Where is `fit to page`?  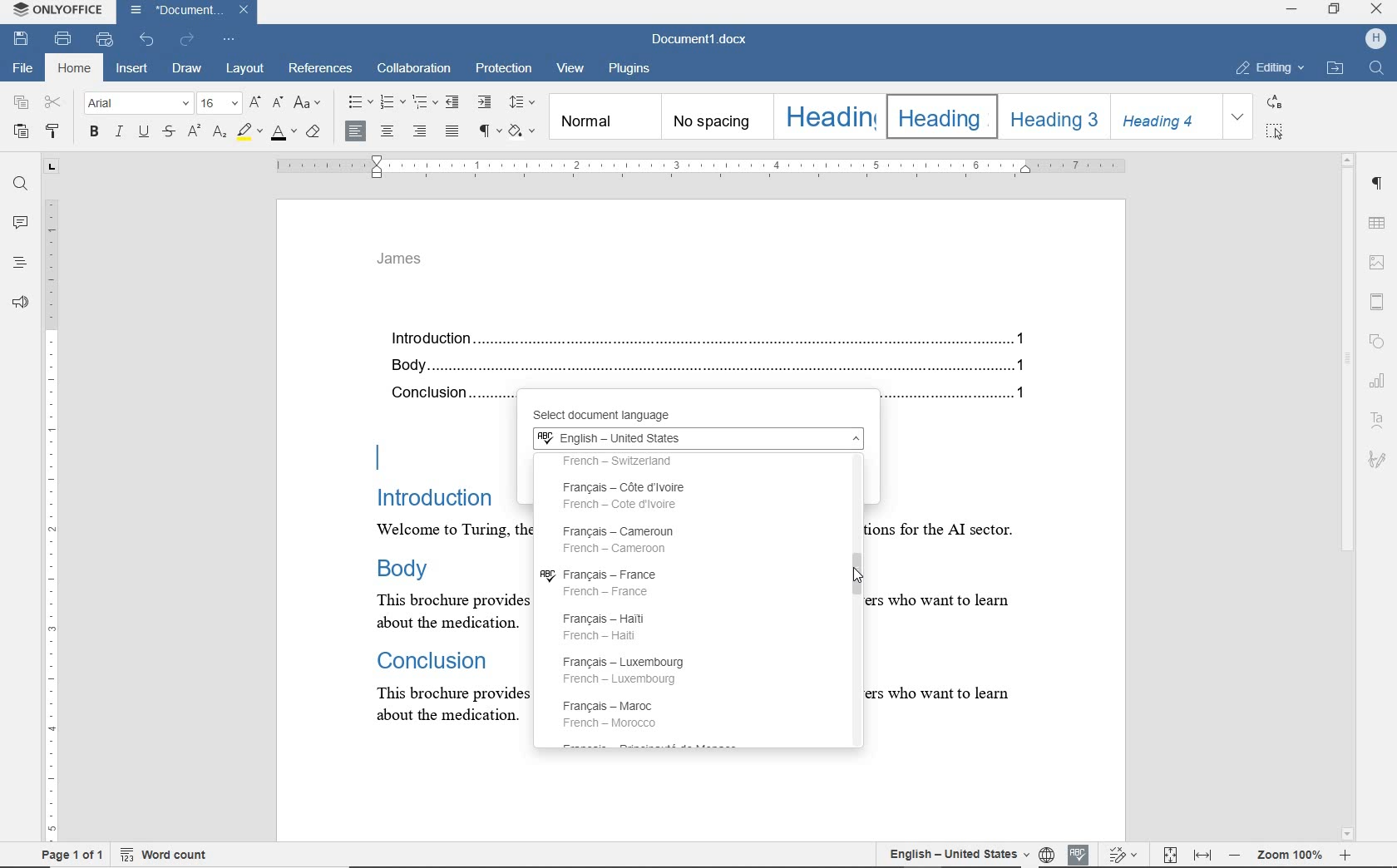 fit to page is located at coordinates (1171, 856).